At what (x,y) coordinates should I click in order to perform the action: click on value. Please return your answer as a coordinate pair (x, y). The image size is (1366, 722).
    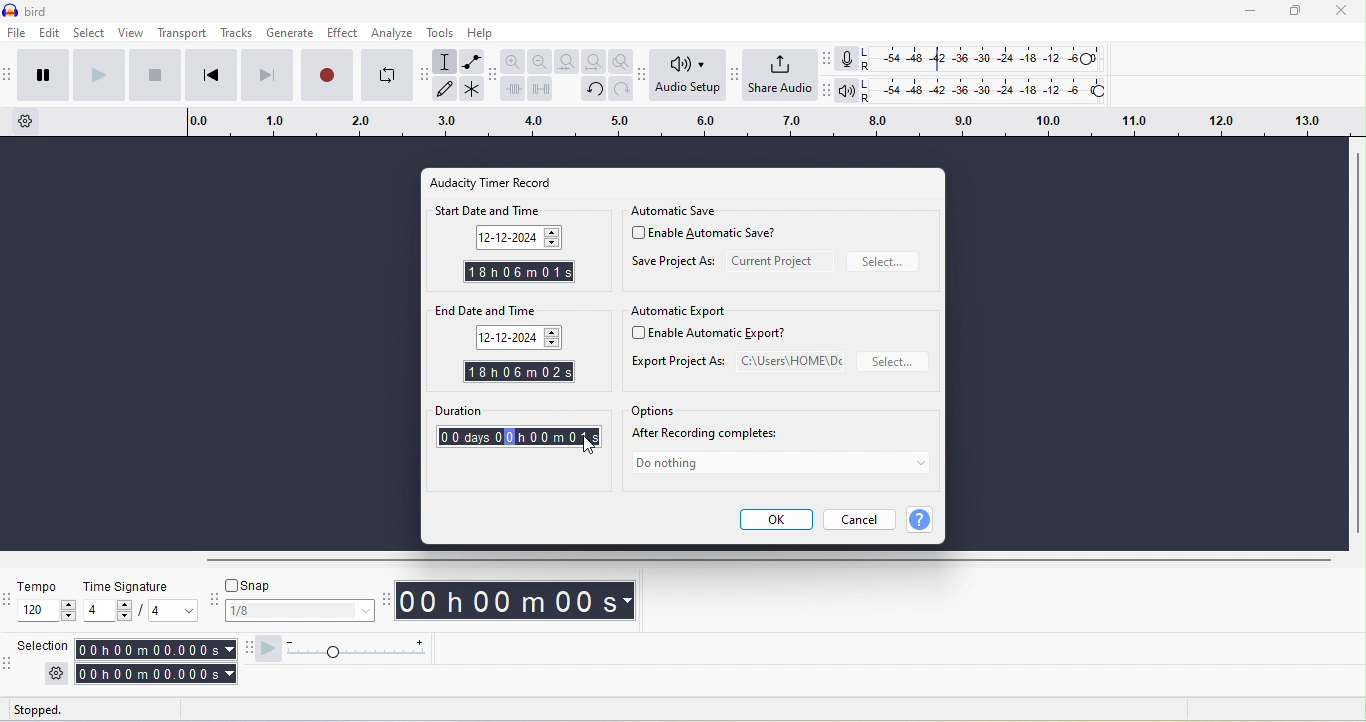
    Looking at the image, I should click on (105, 610).